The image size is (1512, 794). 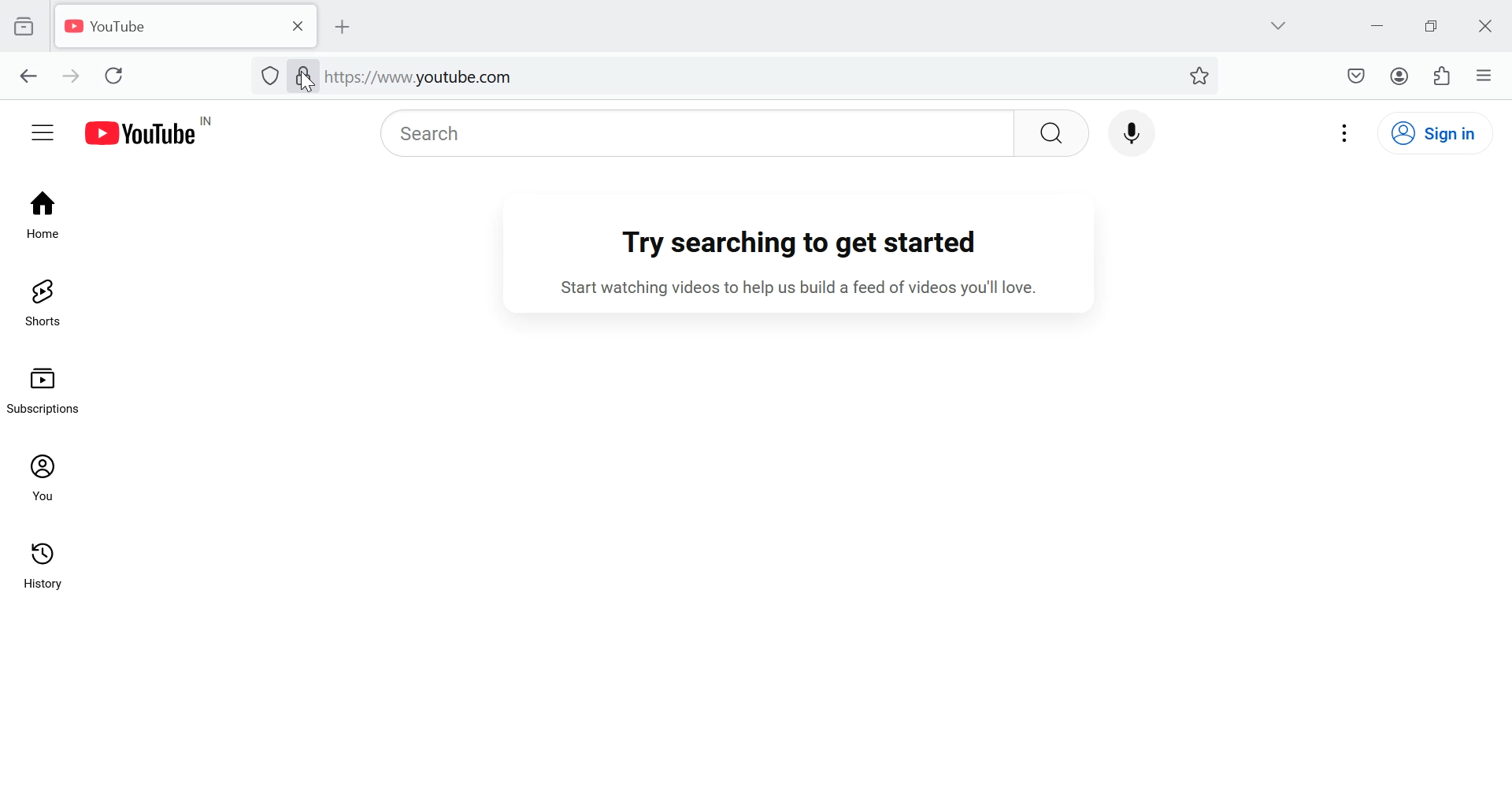 What do you see at coordinates (1488, 26) in the screenshot?
I see `Close` at bounding box center [1488, 26].